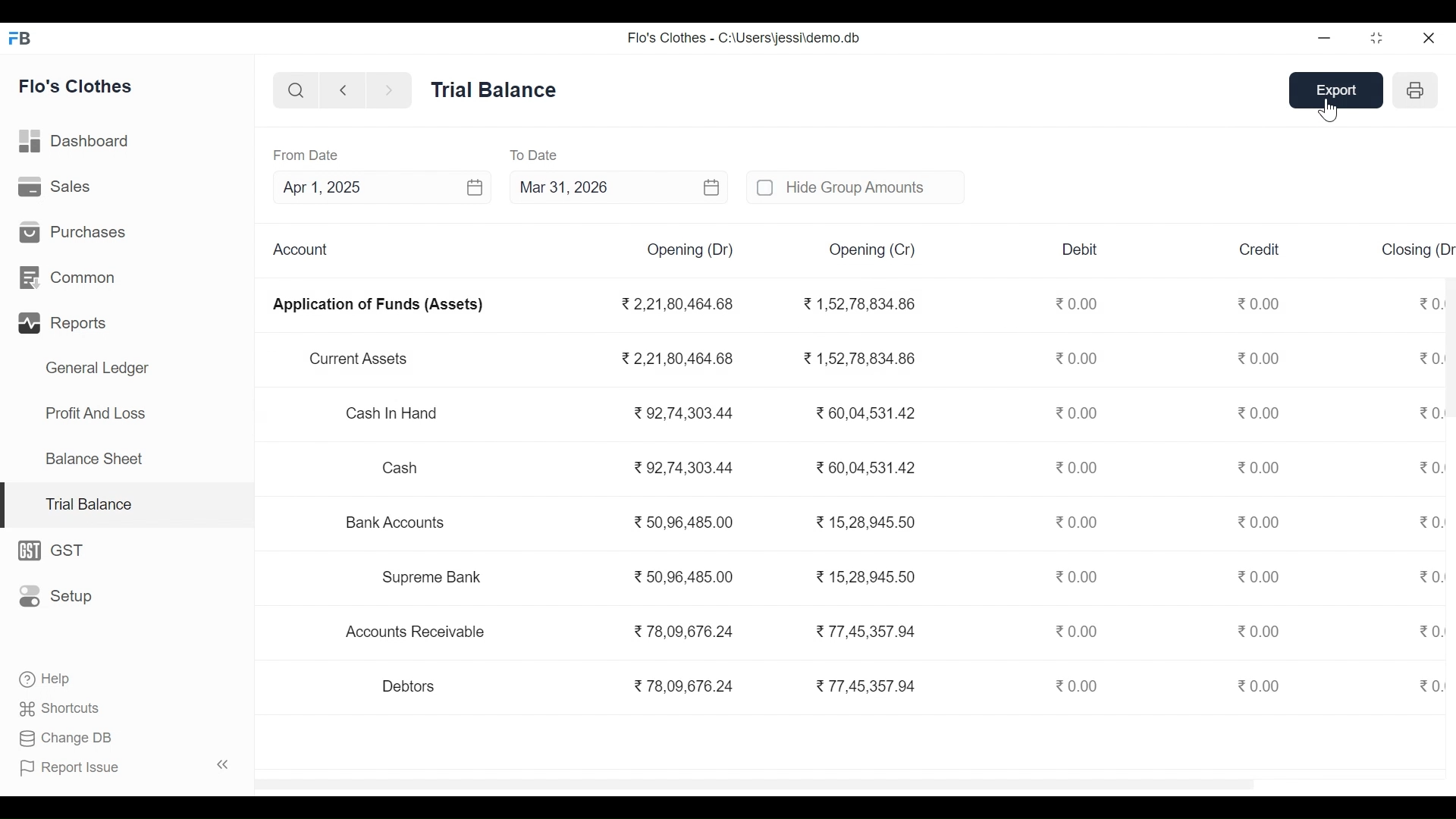 This screenshot has height=819, width=1456. I want to click on Flo's Clothes, so click(75, 86).